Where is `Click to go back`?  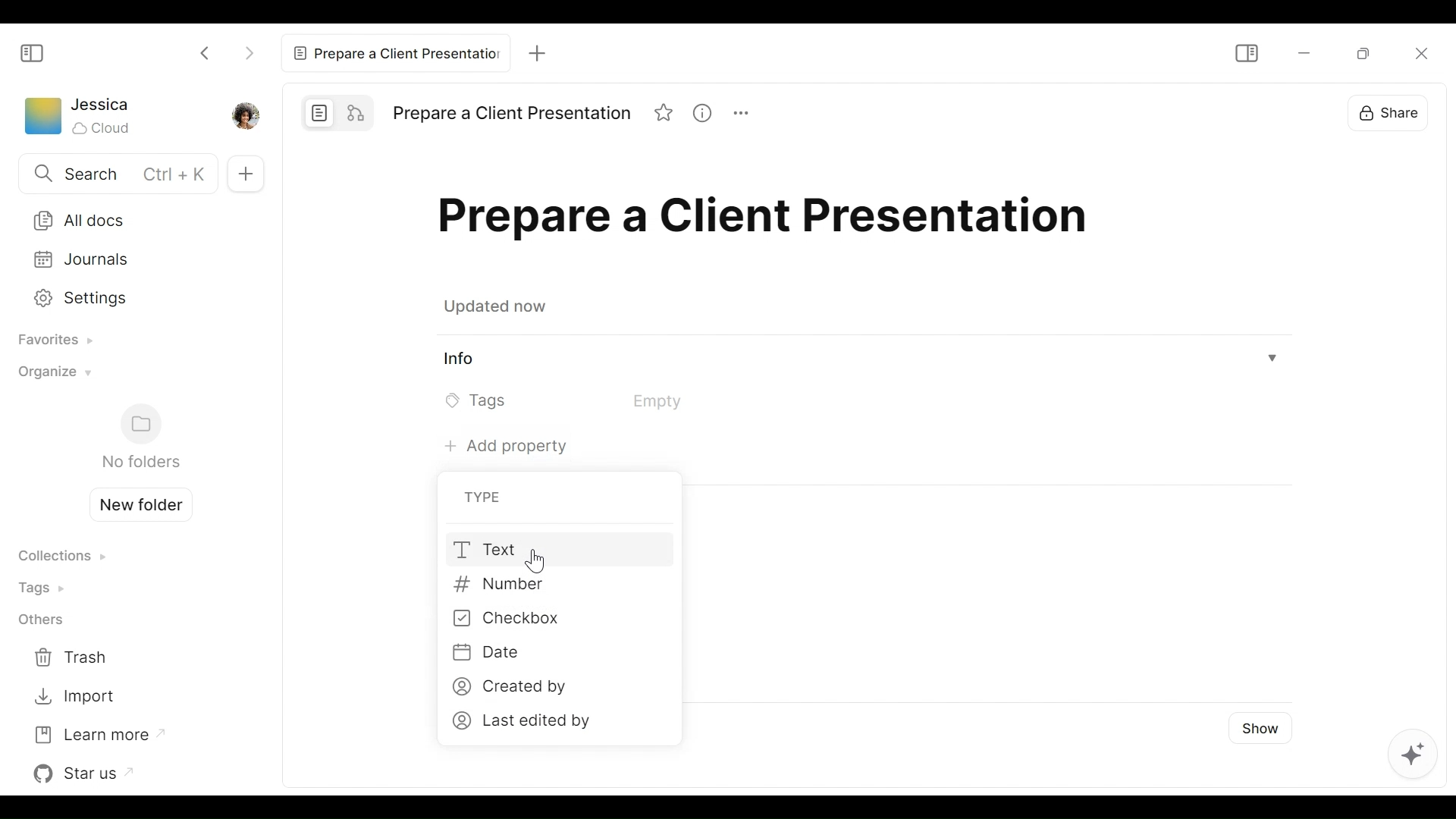
Click to go back is located at coordinates (206, 52).